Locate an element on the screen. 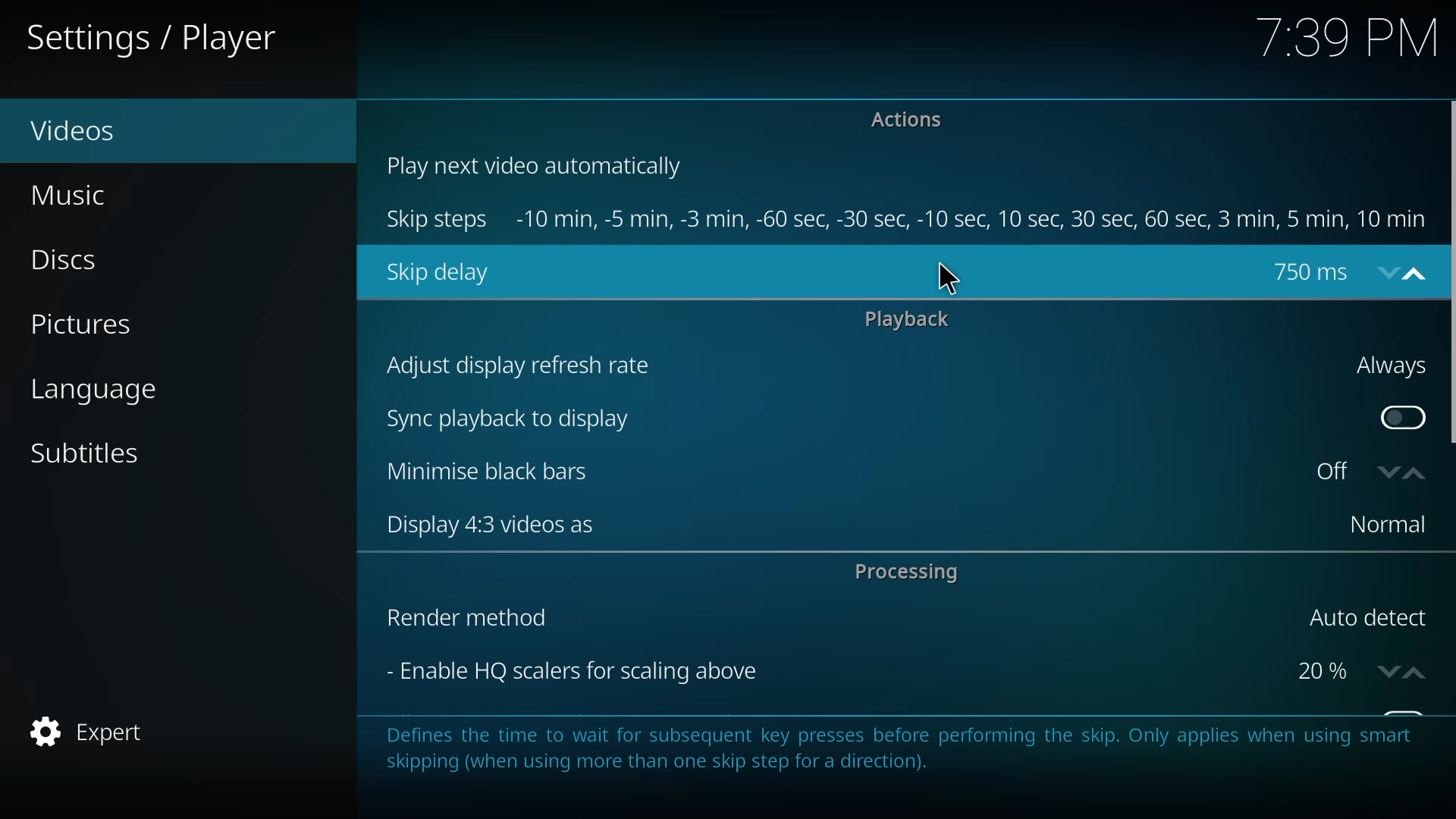 Image resolution: width=1456 pixels, height=819 pixels. skip steps is located at coordinates (438, 221).